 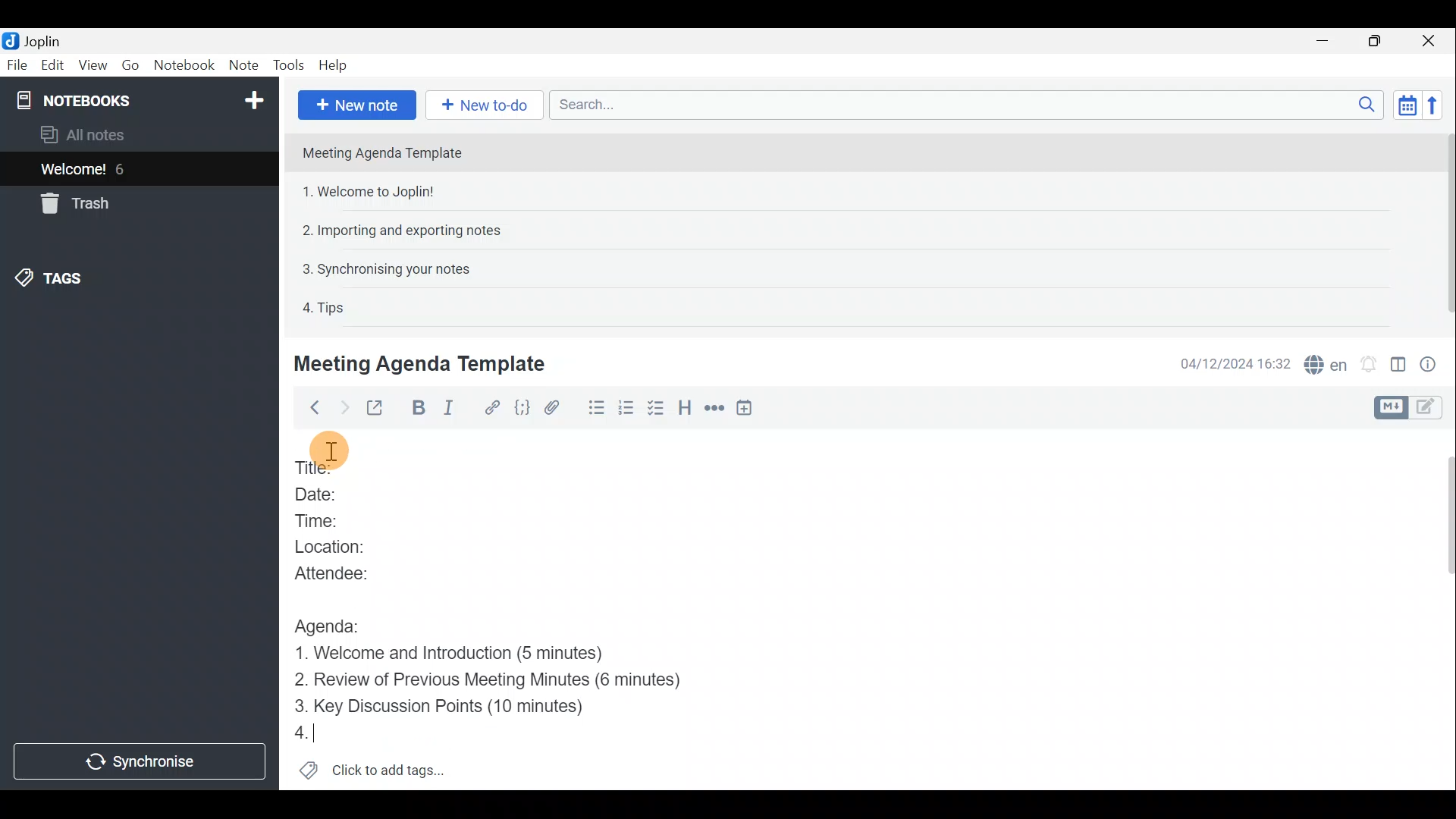 I want to click on File, so click(x=17, y=64).